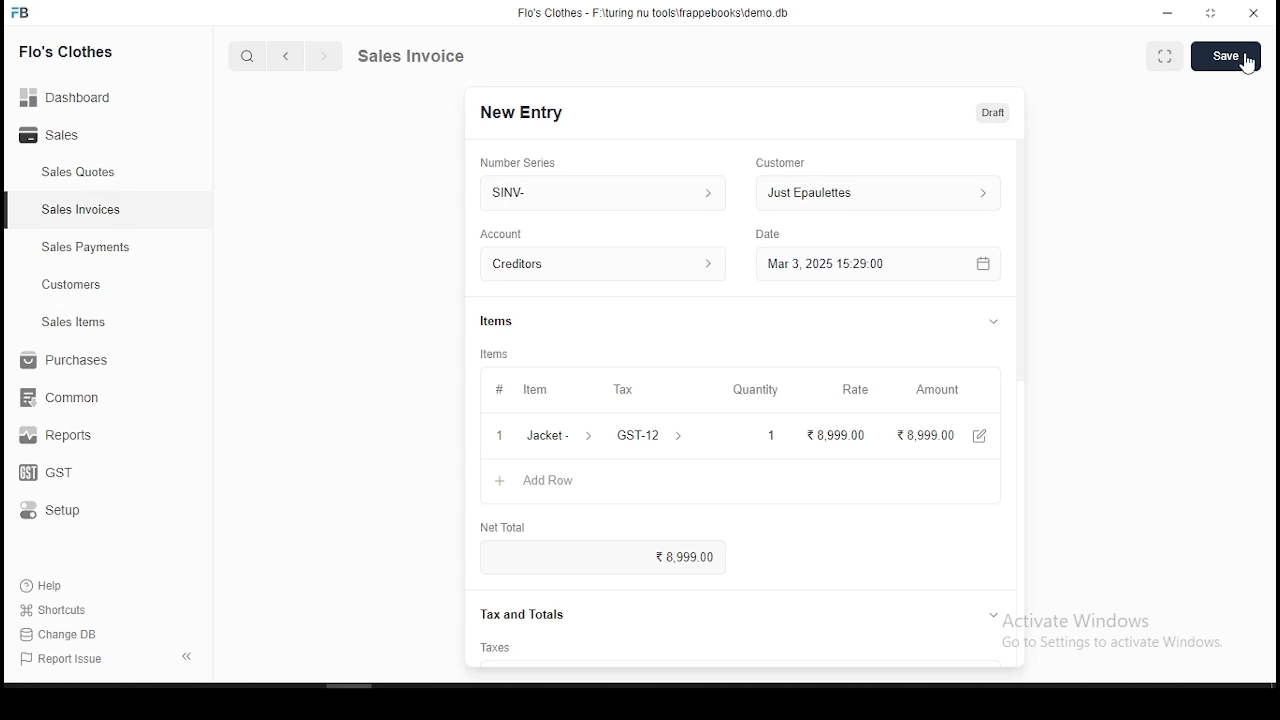 Image resolution: width=1280 pixels, height=720 pixels. Describe the element at coordinates (511, 316) in the screenshot. I see `items` at that location.